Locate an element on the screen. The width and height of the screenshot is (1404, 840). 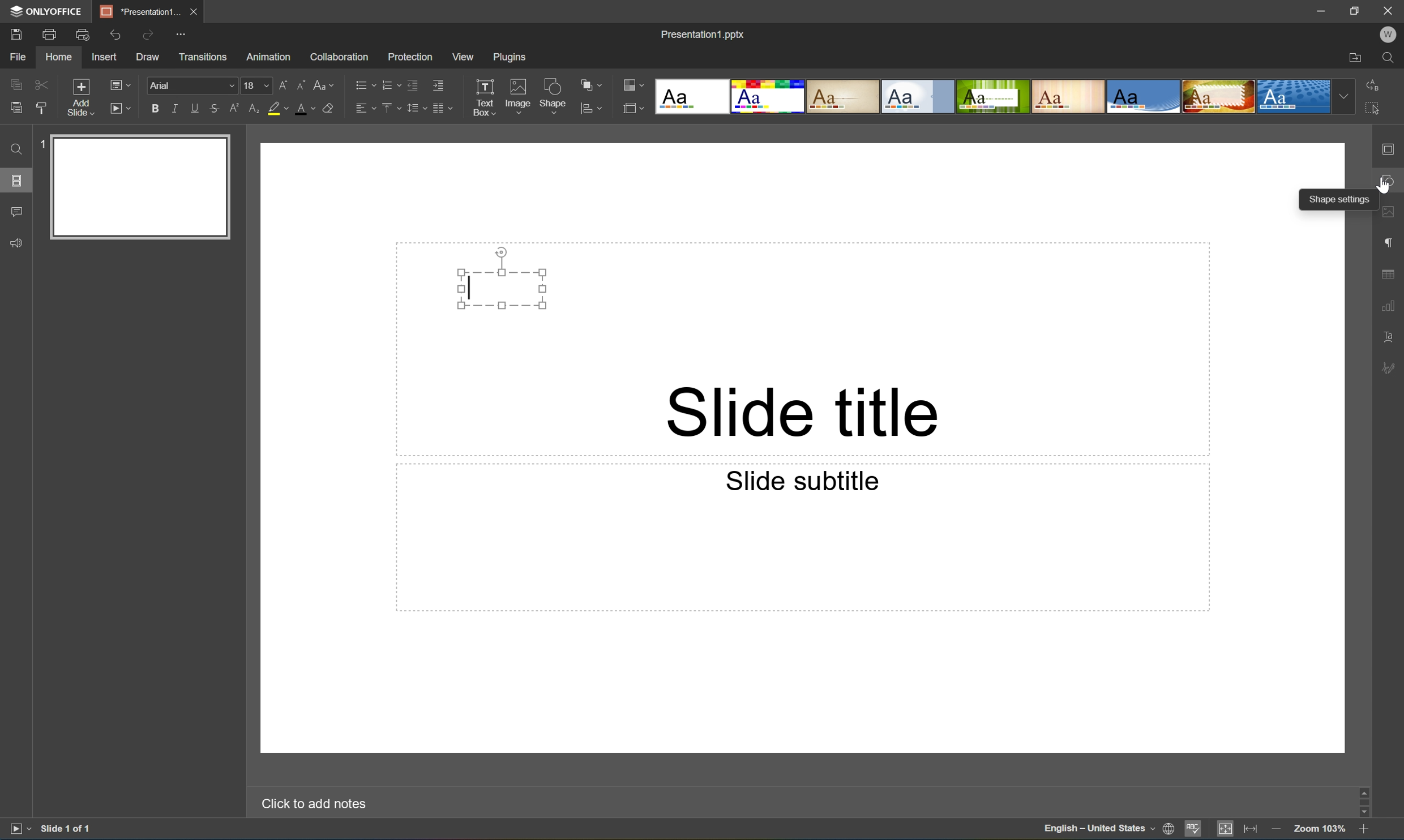
W is located at coordinates (1390, 35).